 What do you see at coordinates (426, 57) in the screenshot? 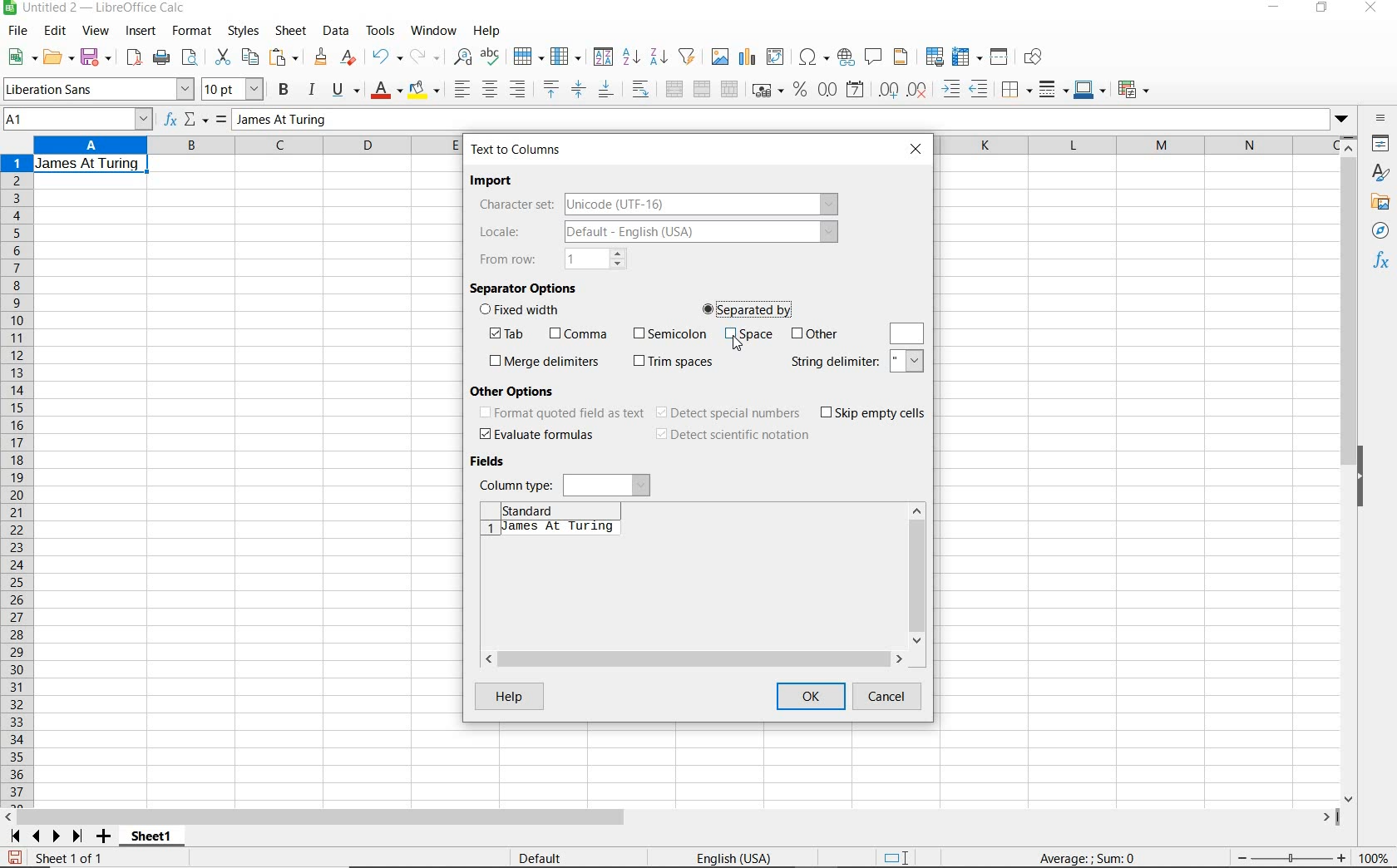
I see `redo` at bounding box center [426, 57].